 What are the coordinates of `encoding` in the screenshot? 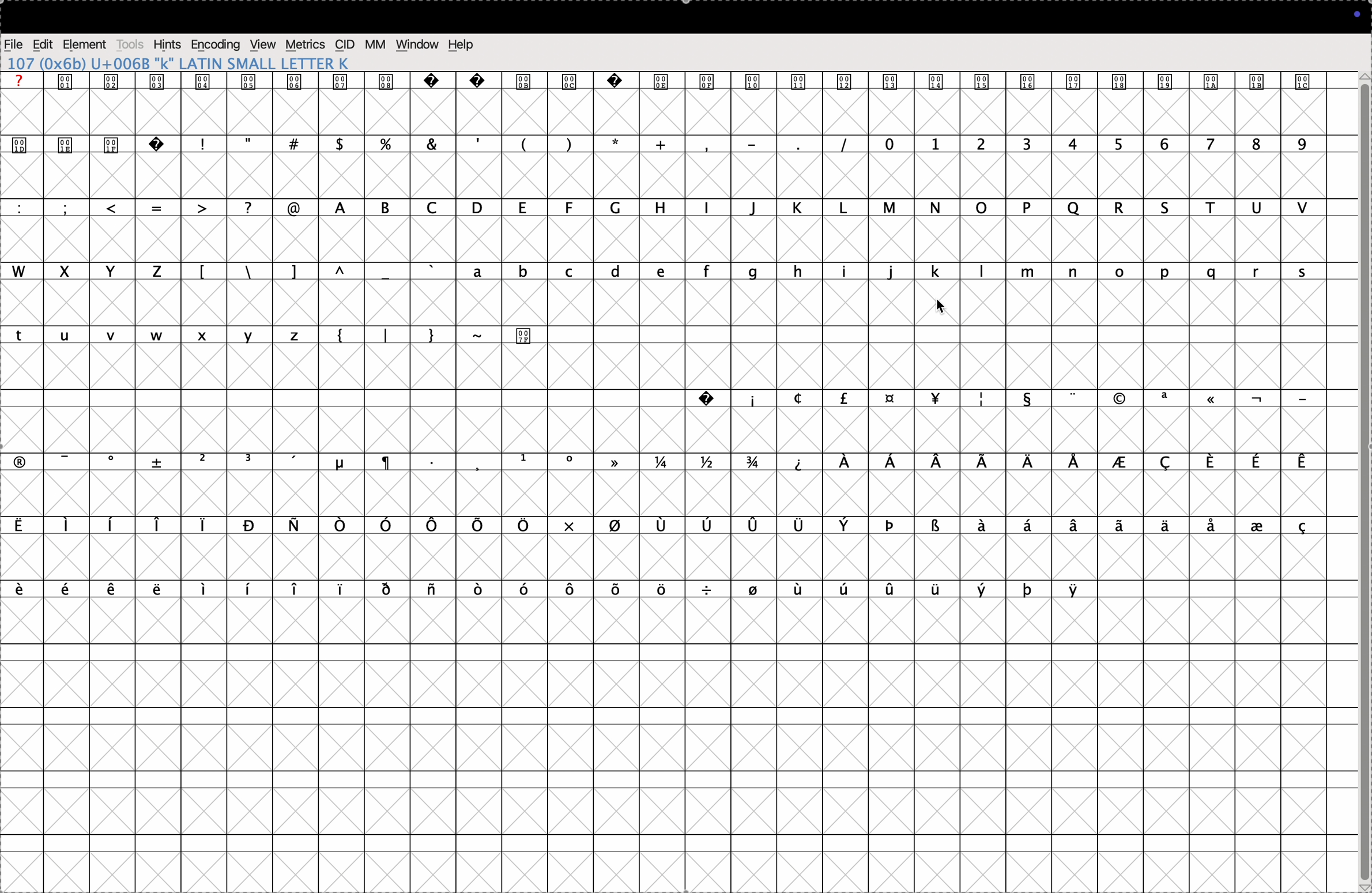 It's located at (216, 44).